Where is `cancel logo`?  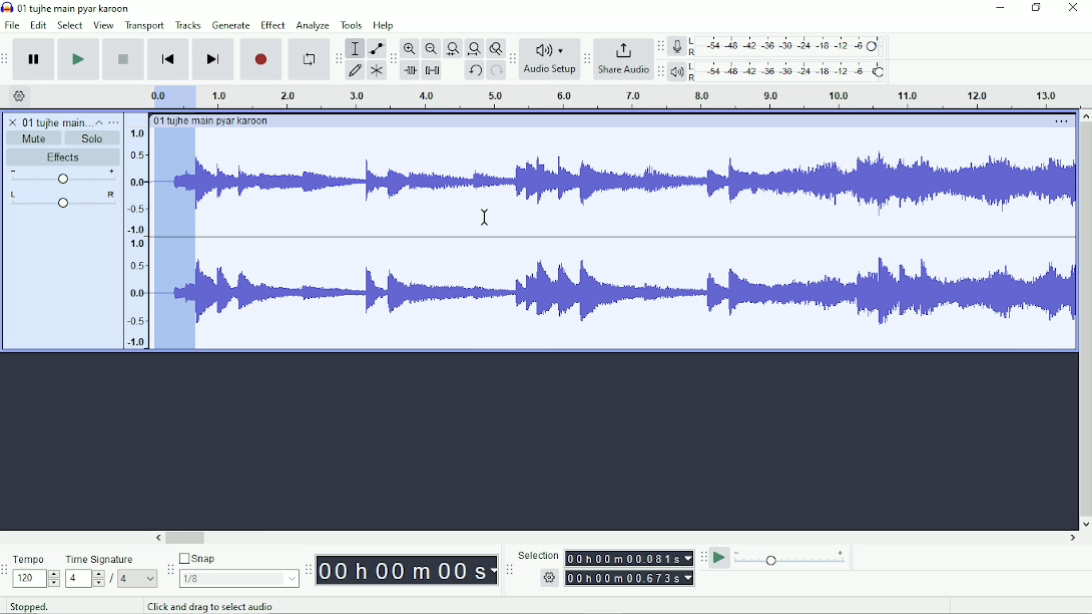
cancel logo is located at coordinates (14, 122).